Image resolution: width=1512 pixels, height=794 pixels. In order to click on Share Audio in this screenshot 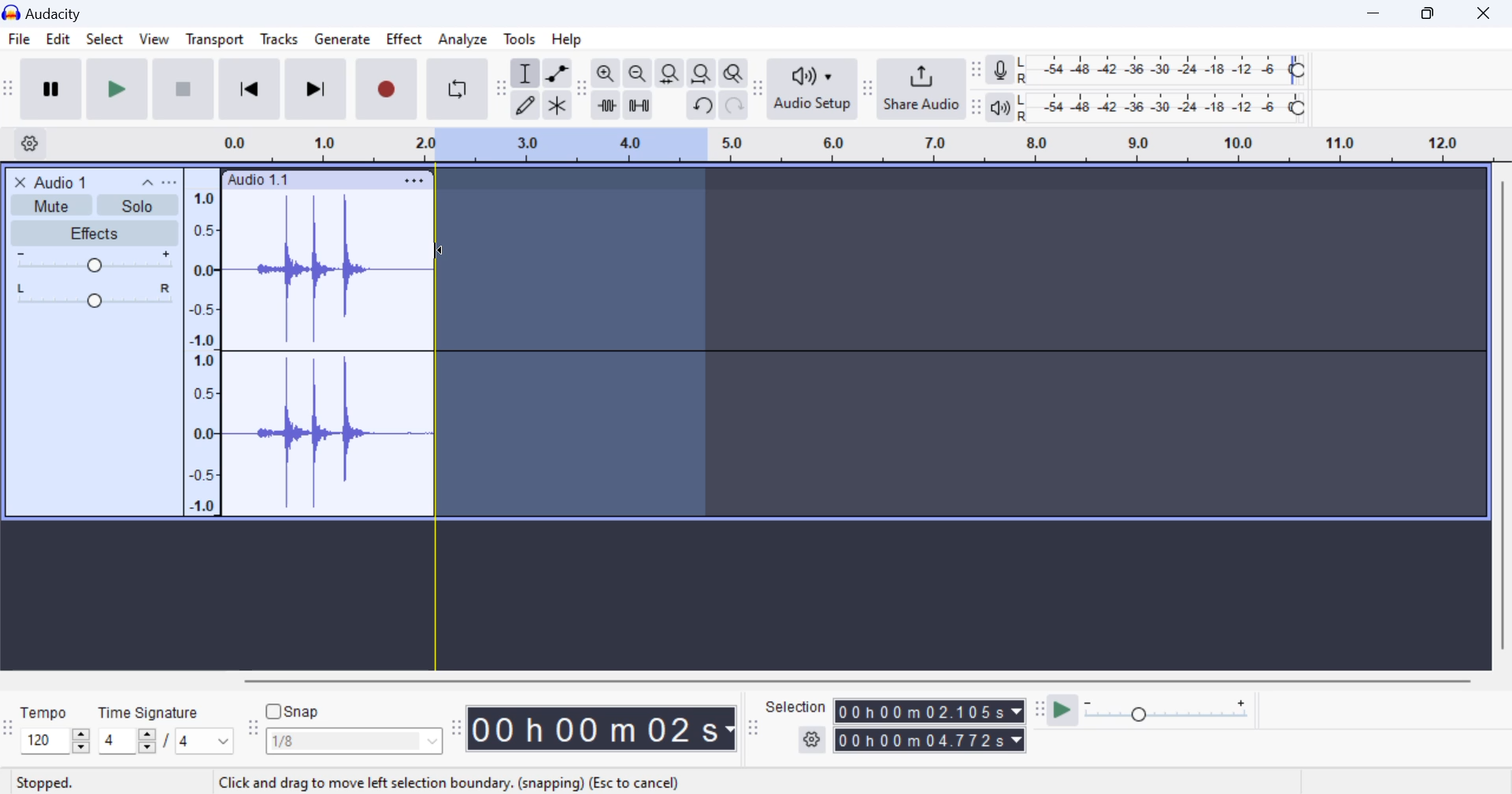, I will do `click(921, 88)`.